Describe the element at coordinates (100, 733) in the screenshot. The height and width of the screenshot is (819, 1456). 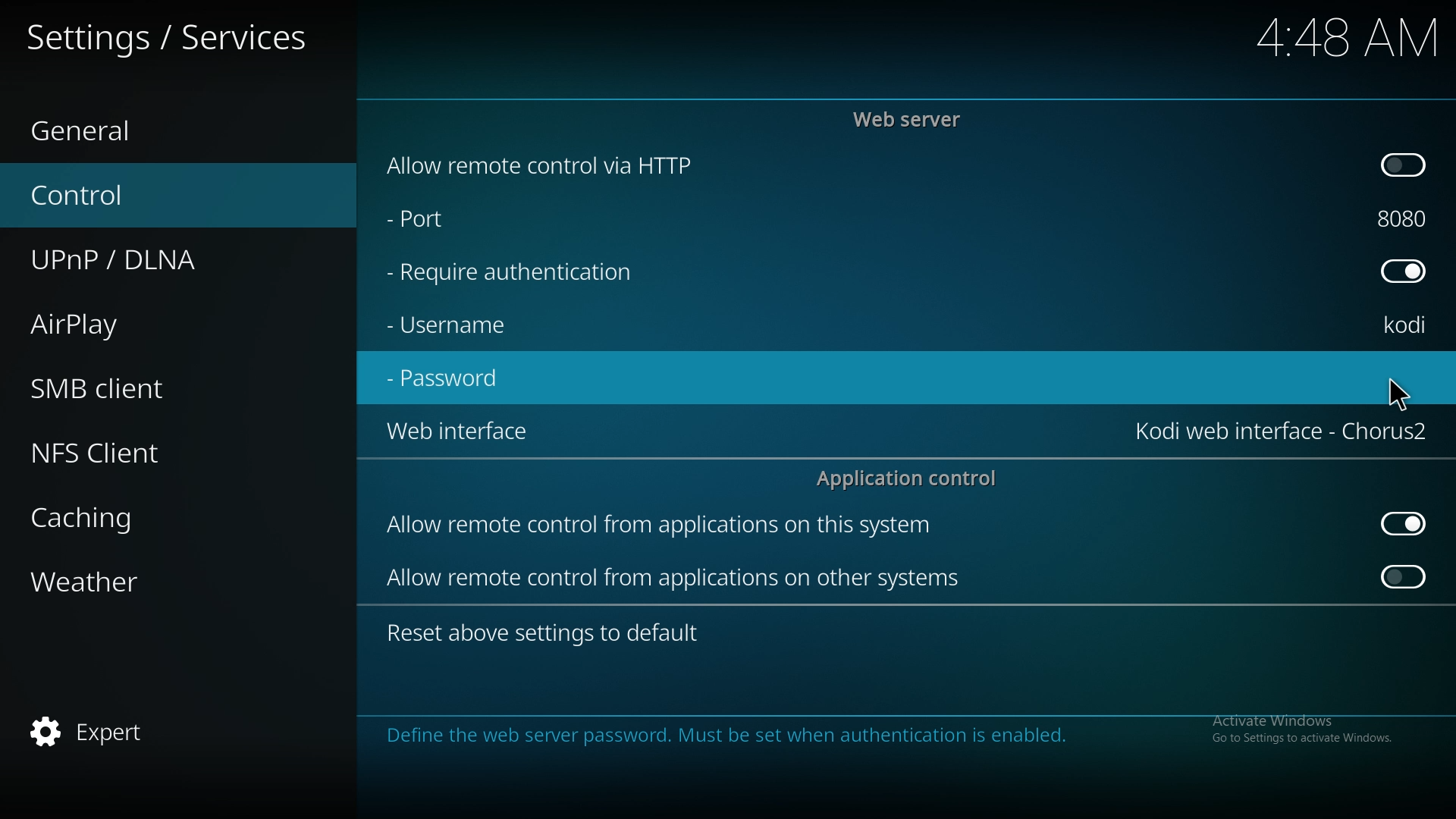
I see `expert` at that location.